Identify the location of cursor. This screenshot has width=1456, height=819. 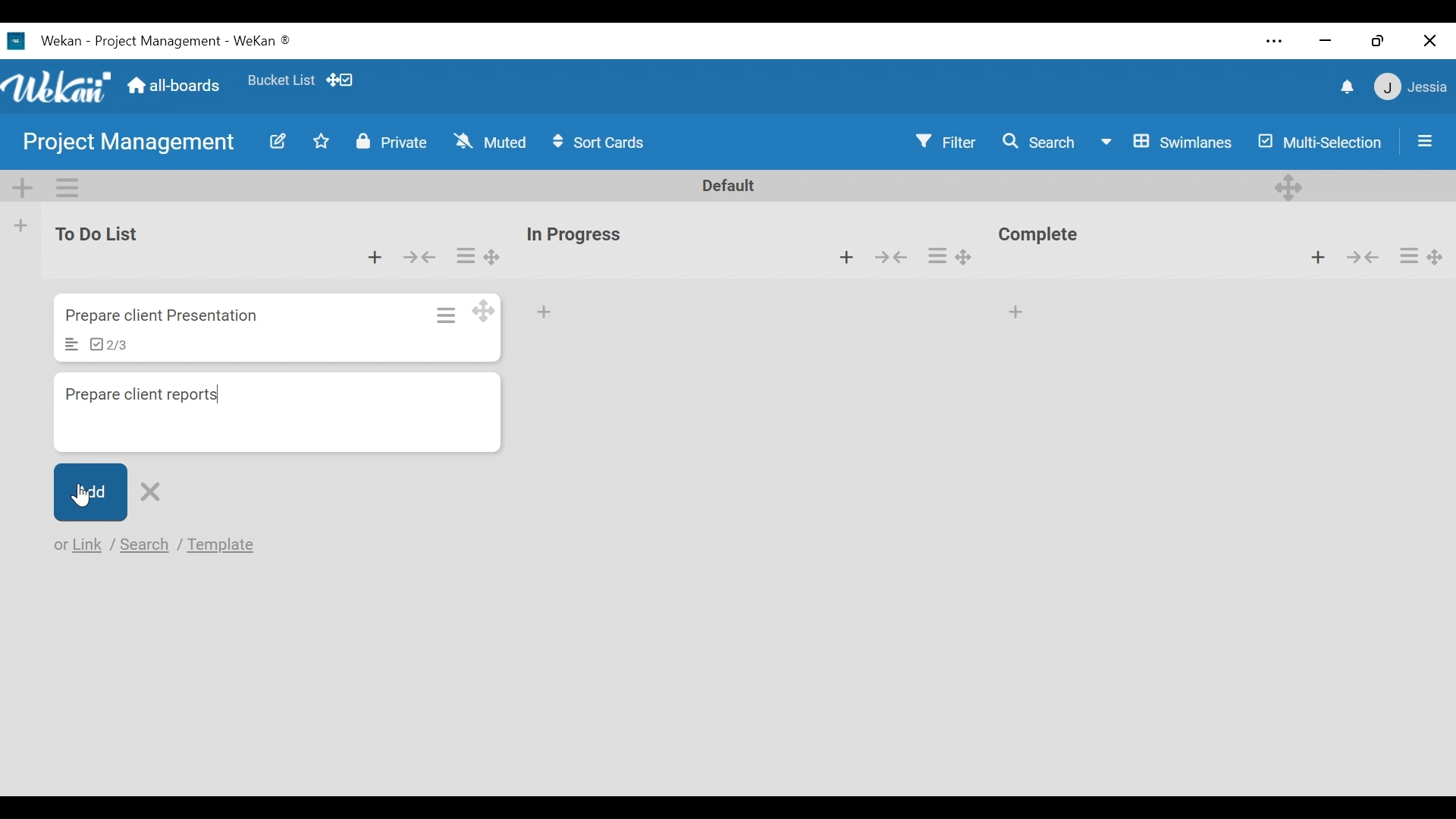
(76, 495).